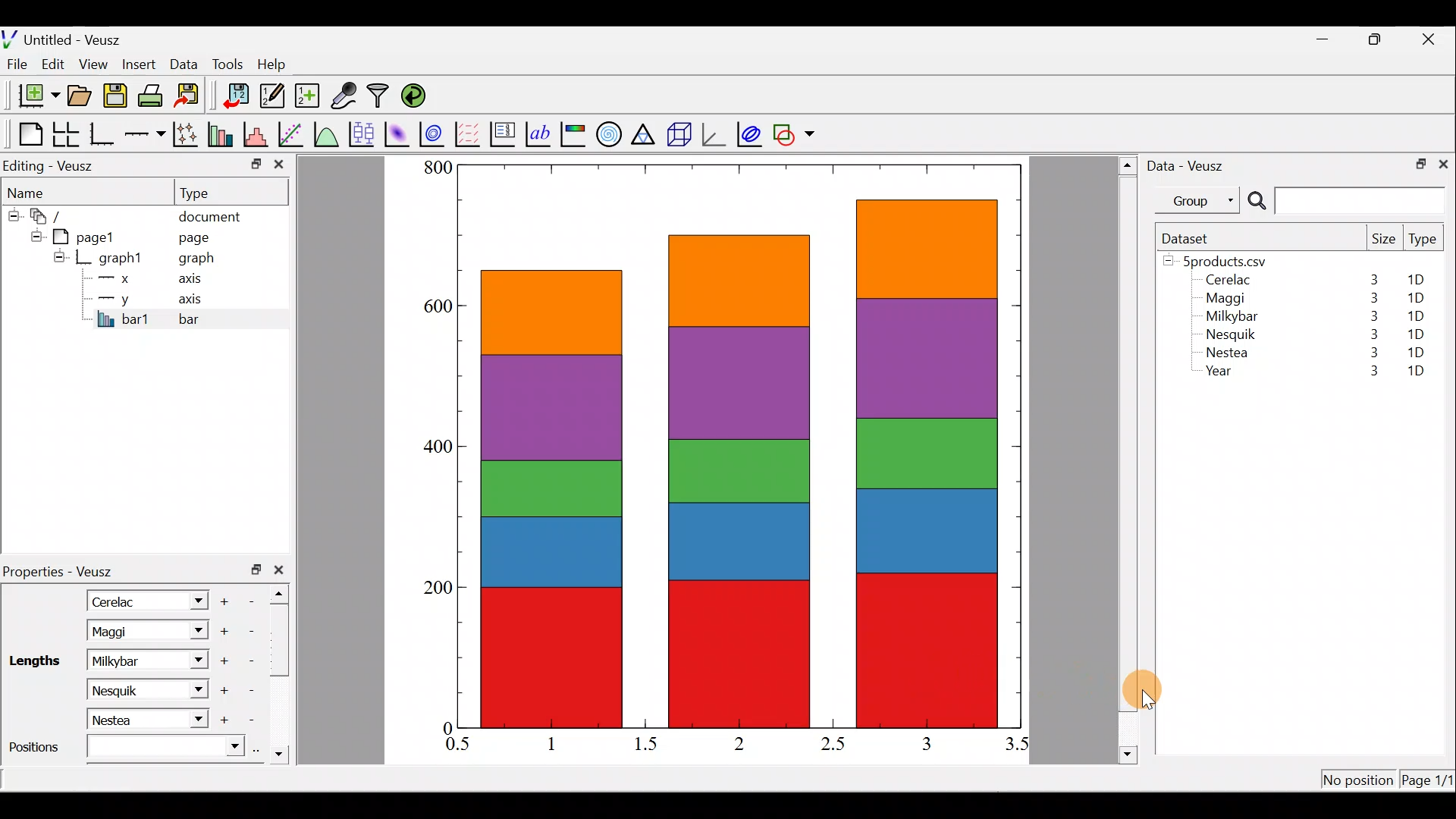 This screenshot has height=819, width=1456. Describe the element at coordinates (59, 256) in the screenshot. I see `hide` at that location.